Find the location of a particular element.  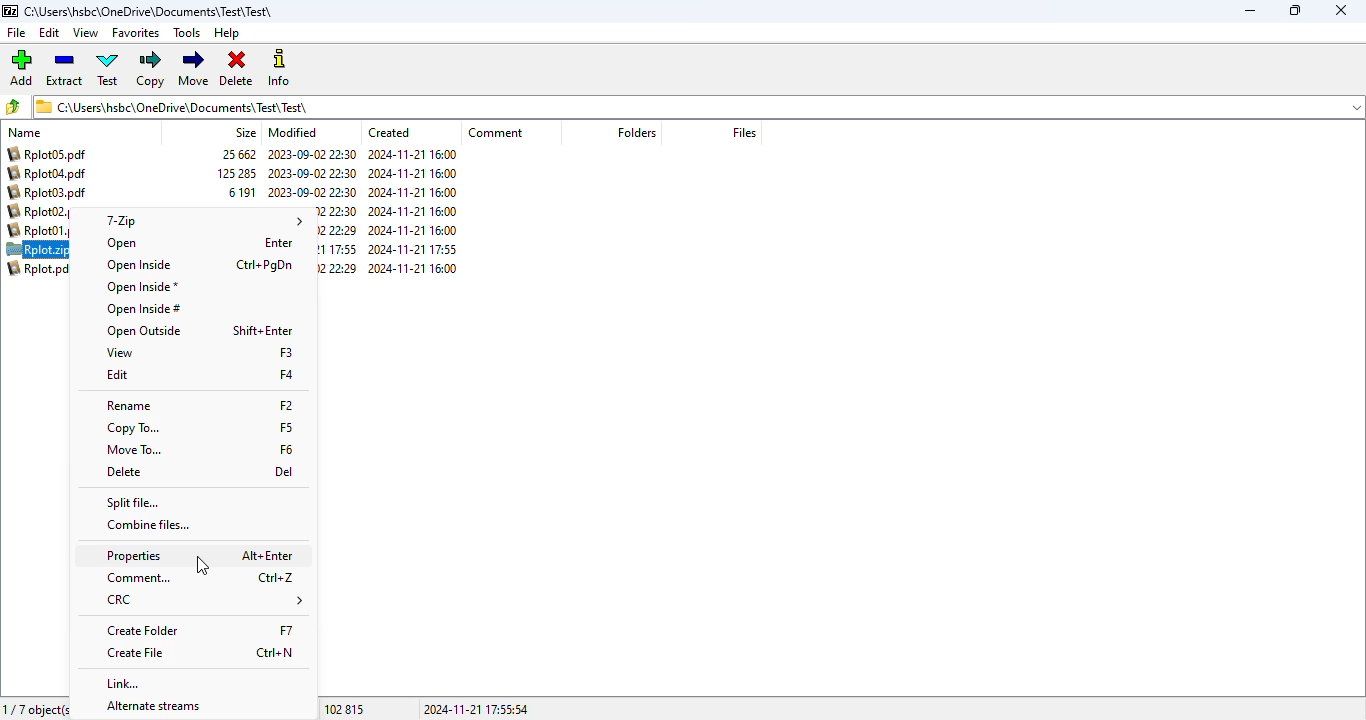

file name is located at coordinates (40, 271).